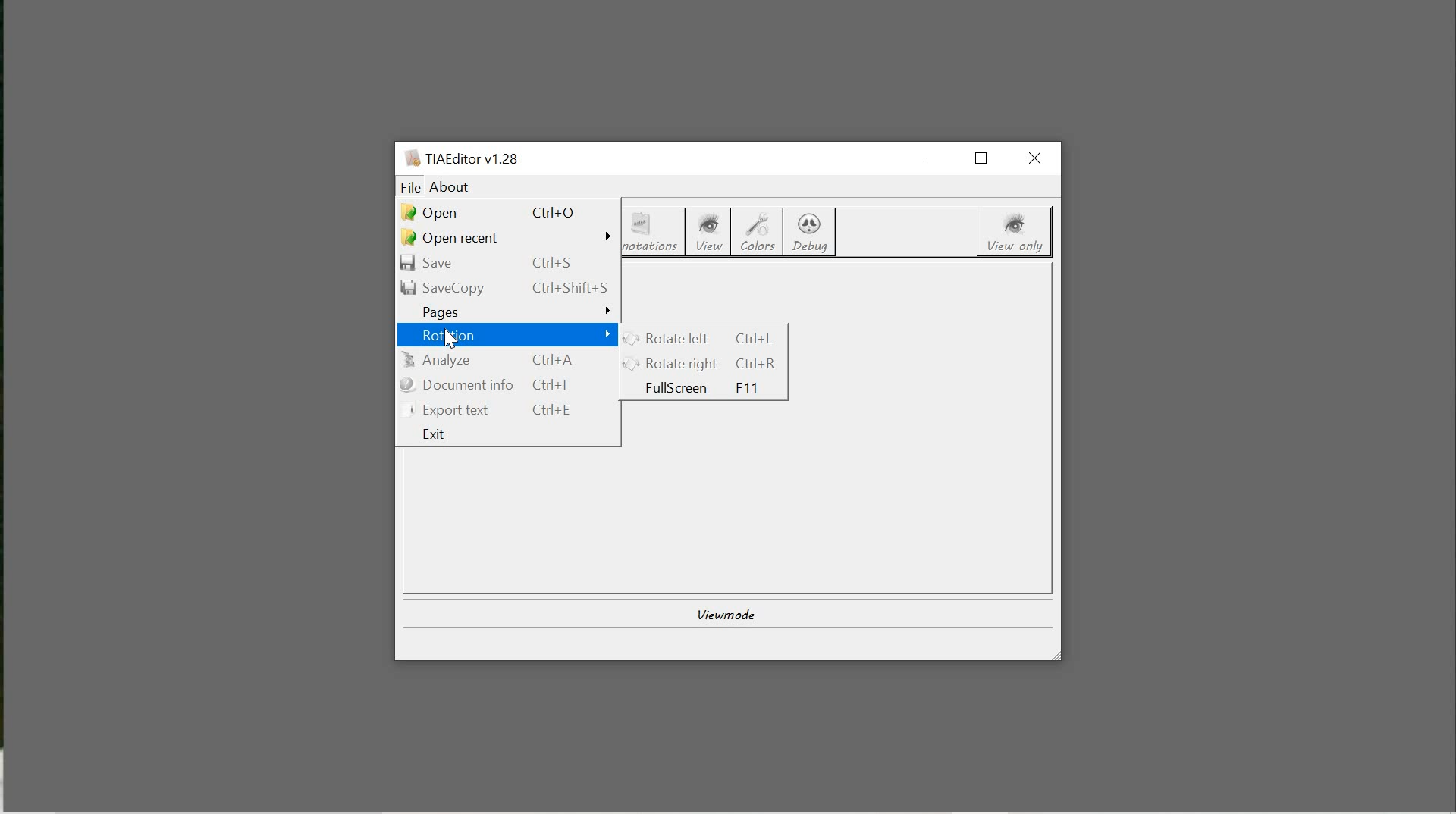 This screenshot has height=814, width=1456. I want to click on colors, so click(759, 233).